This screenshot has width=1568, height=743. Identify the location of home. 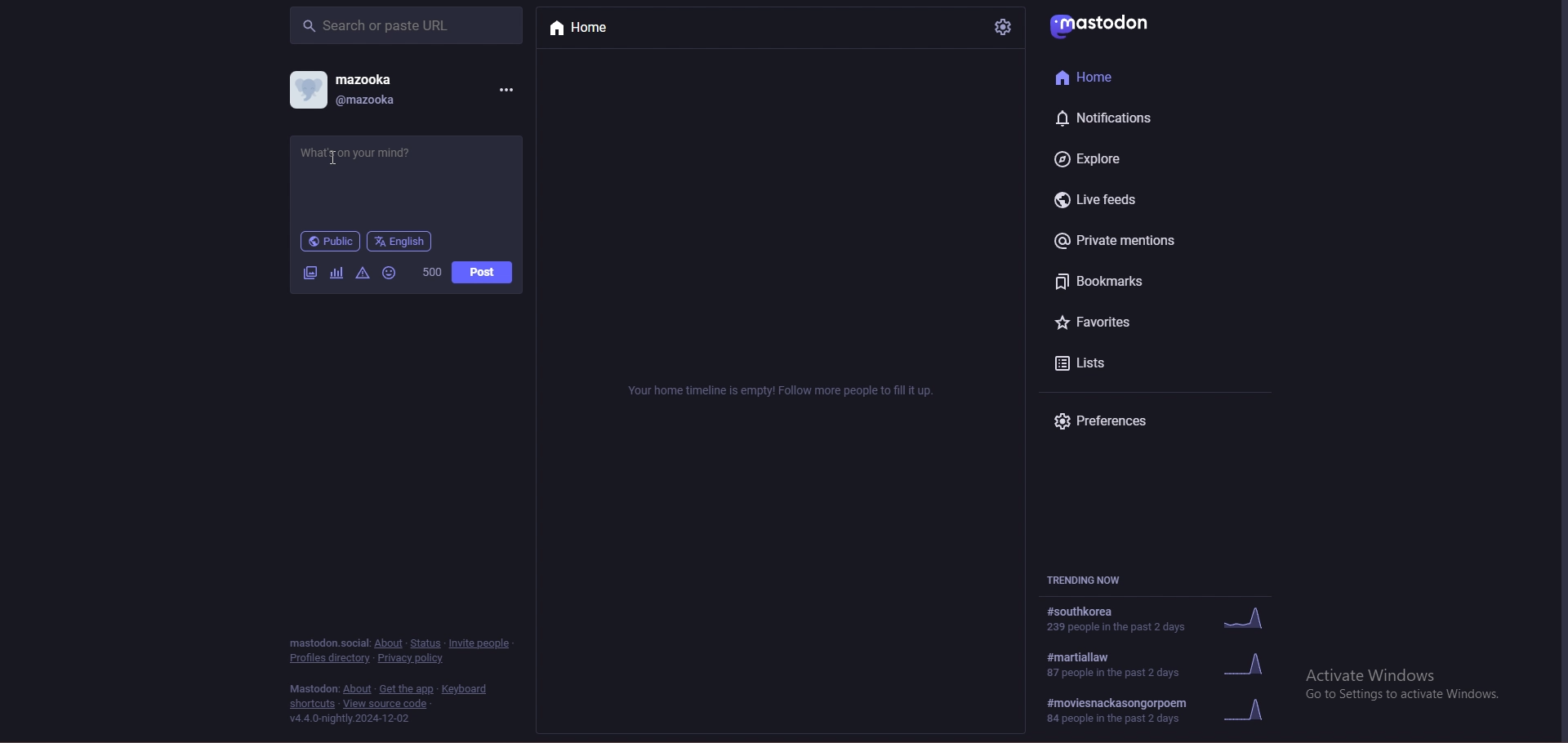
(1114, 78).